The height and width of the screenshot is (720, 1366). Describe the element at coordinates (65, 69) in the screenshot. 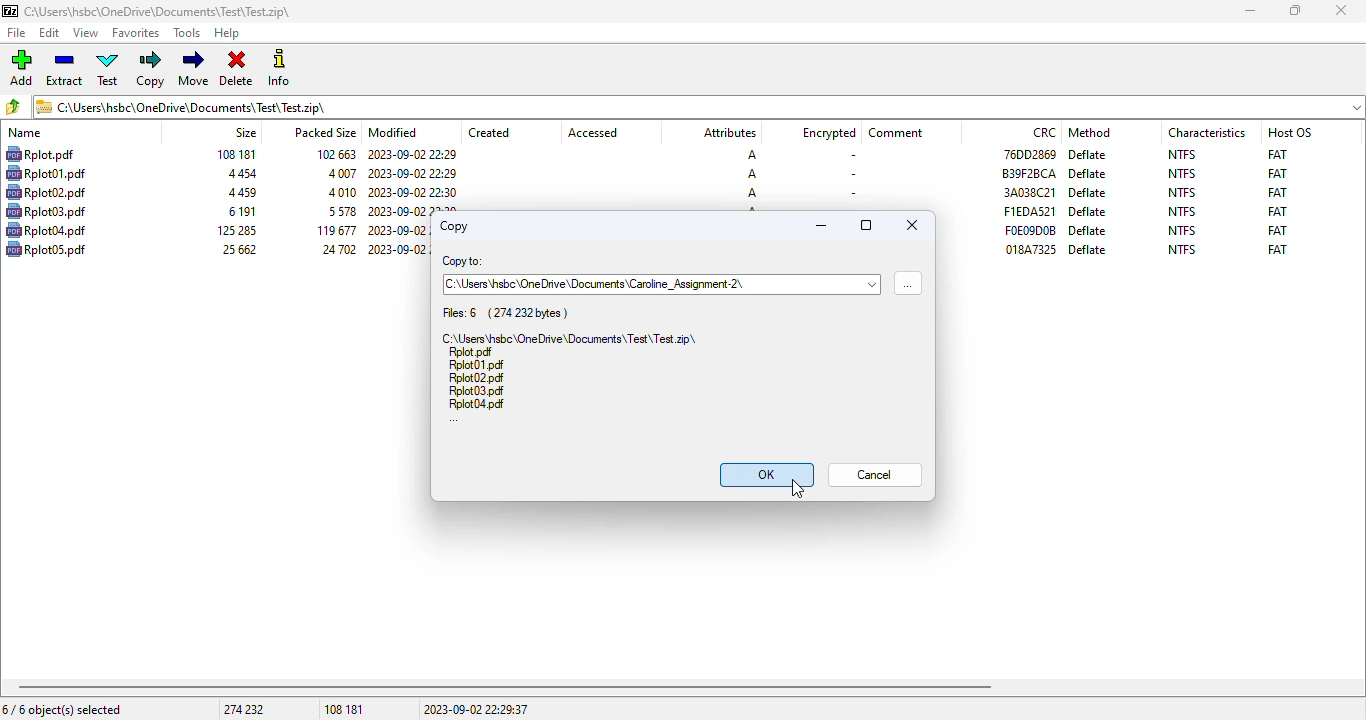

I see `extract` at that location.